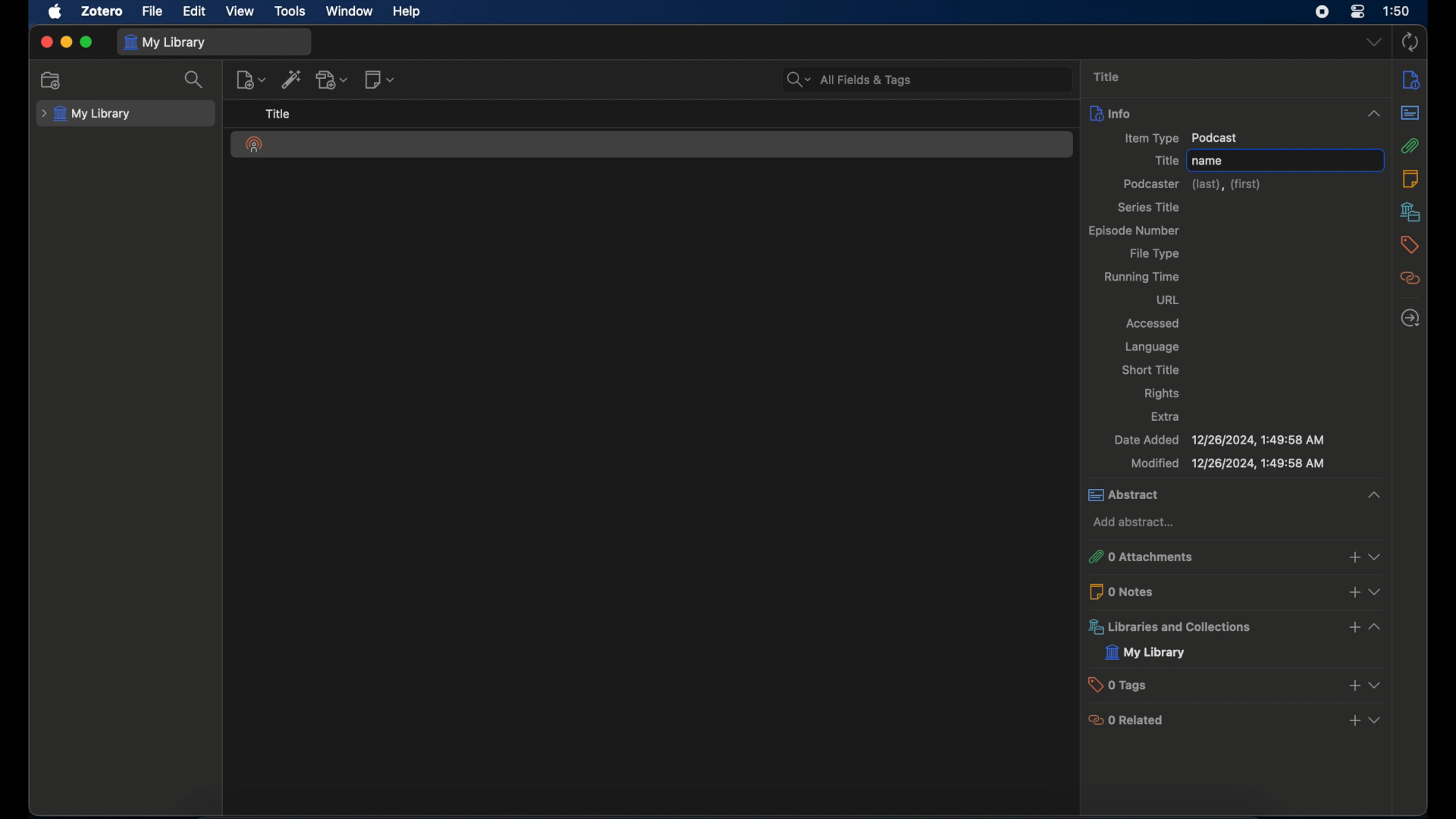 Image resolution: width=1456 pixels, height=819 pixels. Describe the element at coordinates (45, 42) in the screenshot. I see `close` at that location.